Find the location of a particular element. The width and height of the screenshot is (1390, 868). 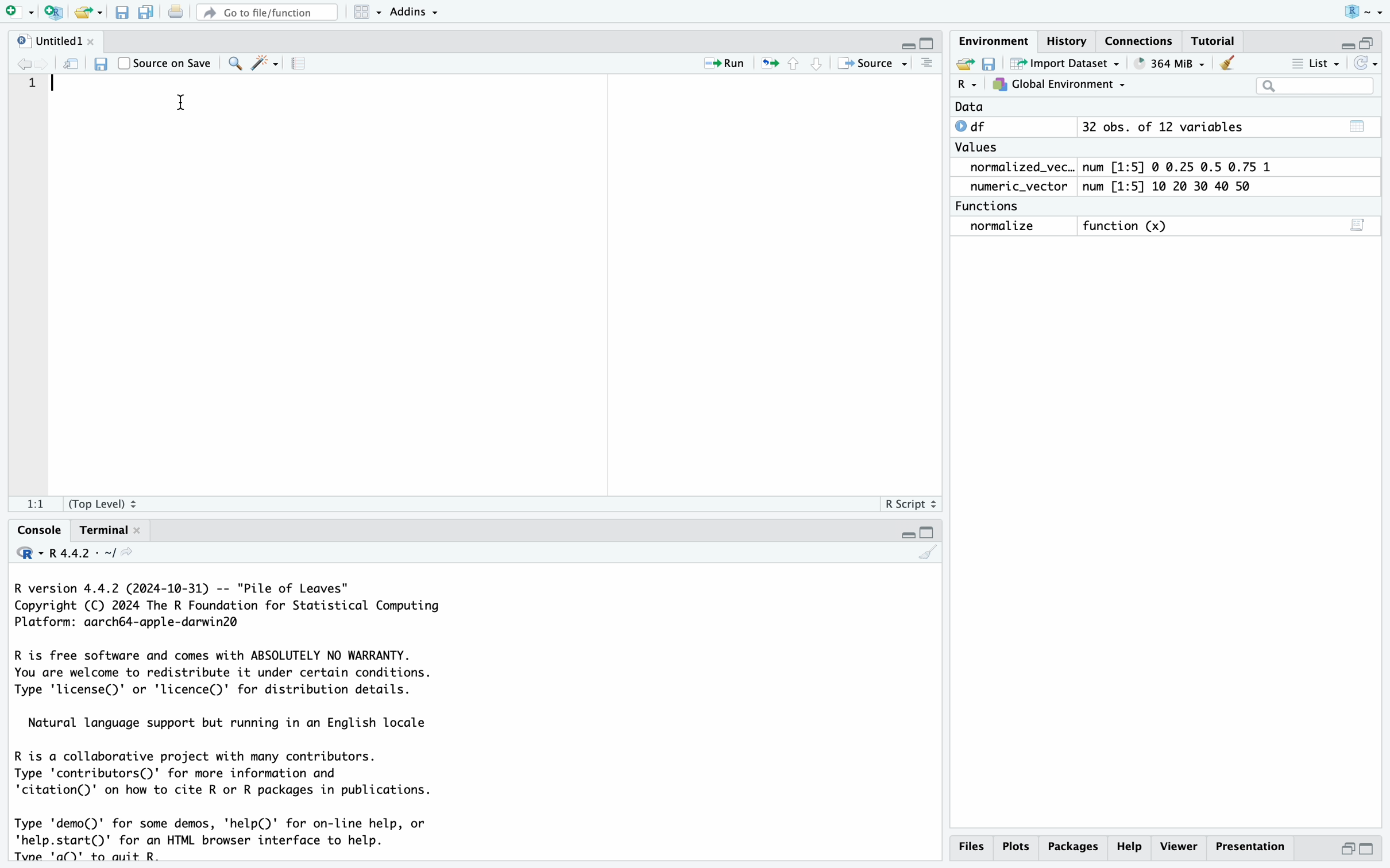

Normalize is located at coordinates (1004, 227).